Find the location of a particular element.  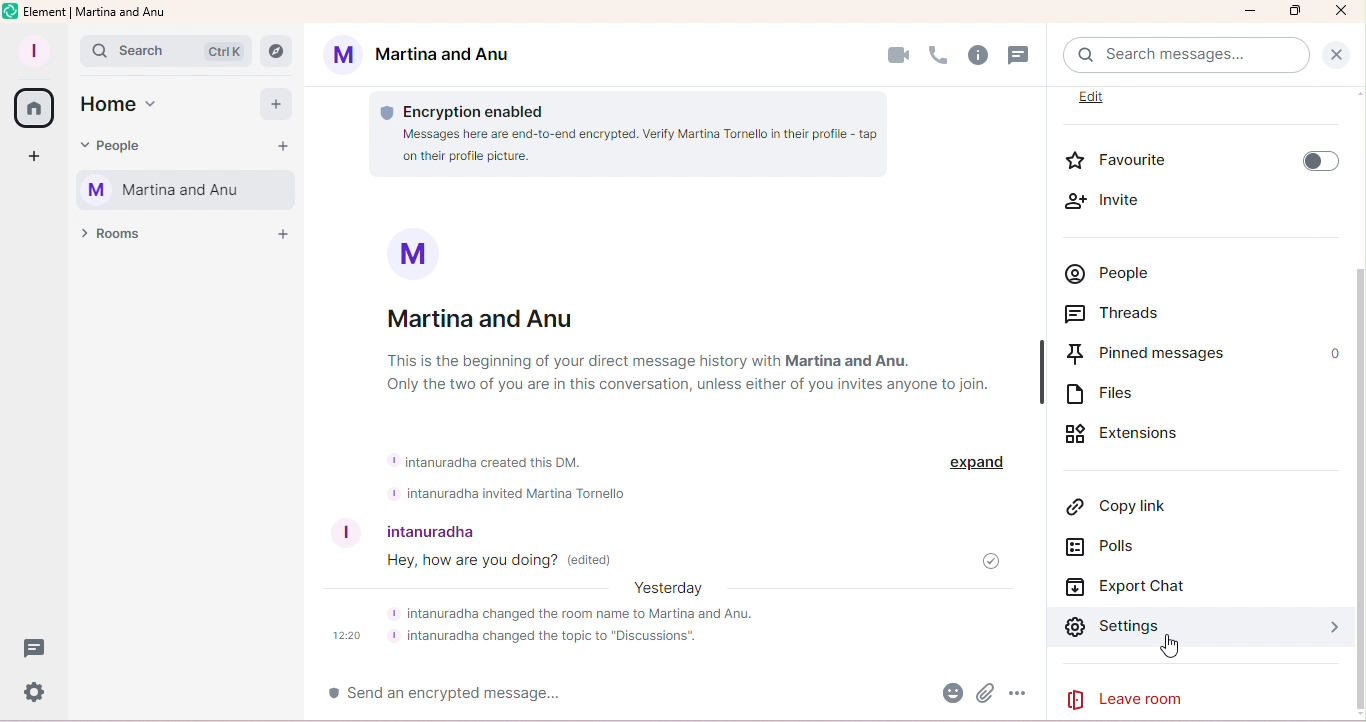

Martina and Anu is located at coordinates (182, 192).